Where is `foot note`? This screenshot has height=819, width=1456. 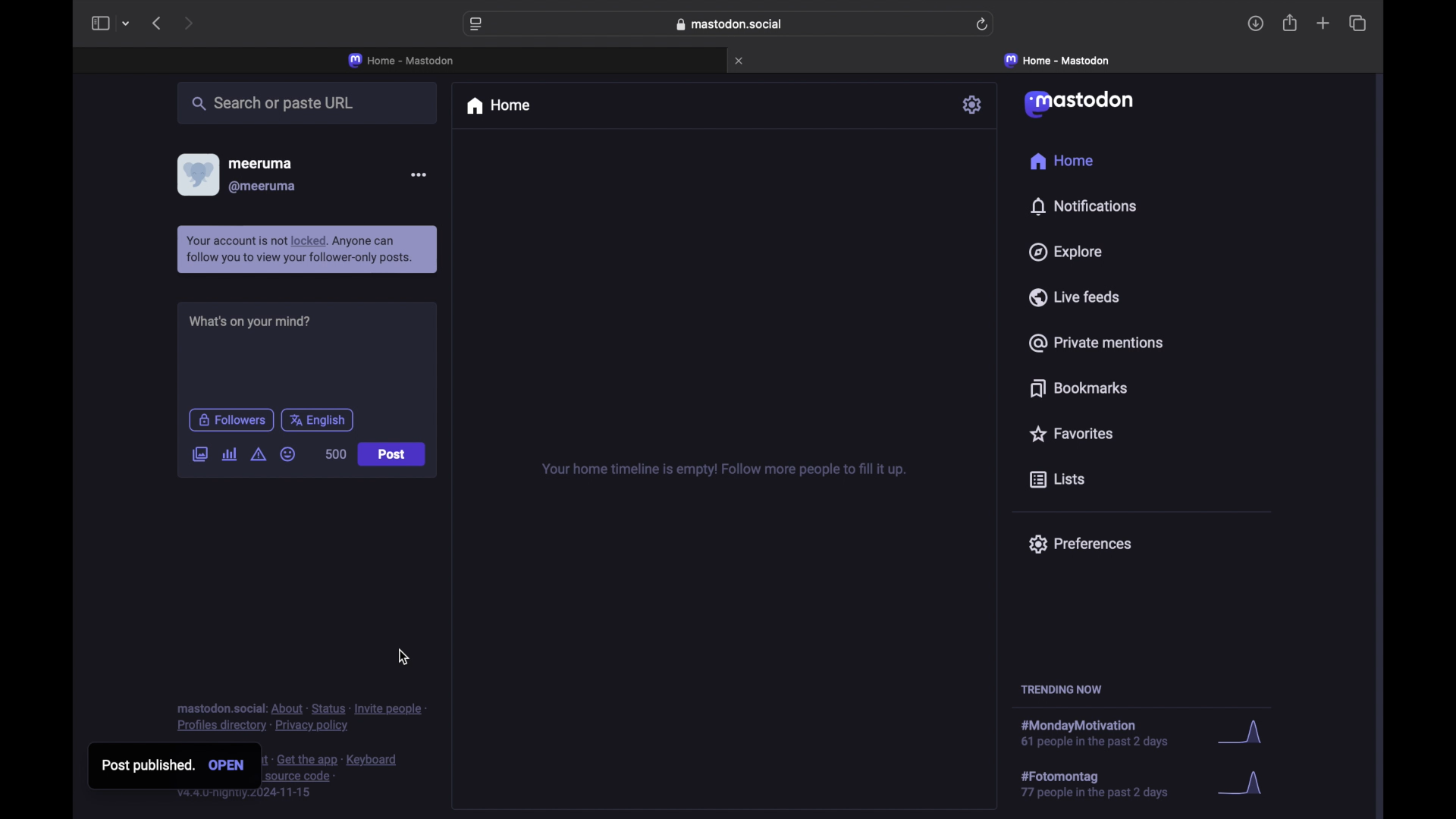
foot note is located at coordinates (334, 779).